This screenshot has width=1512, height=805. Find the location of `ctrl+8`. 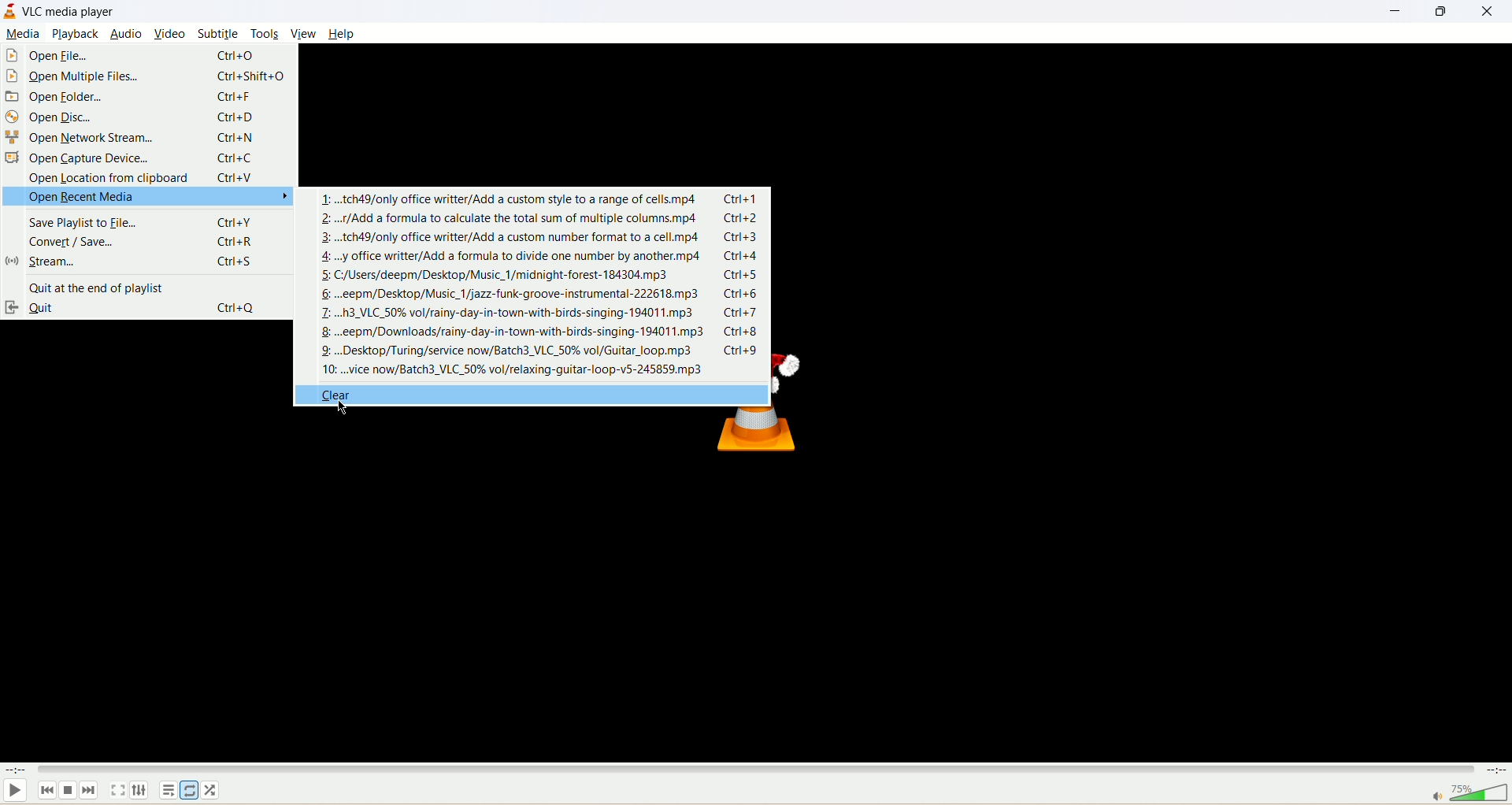

ctrl+8 is located at coordinates (744, 332).